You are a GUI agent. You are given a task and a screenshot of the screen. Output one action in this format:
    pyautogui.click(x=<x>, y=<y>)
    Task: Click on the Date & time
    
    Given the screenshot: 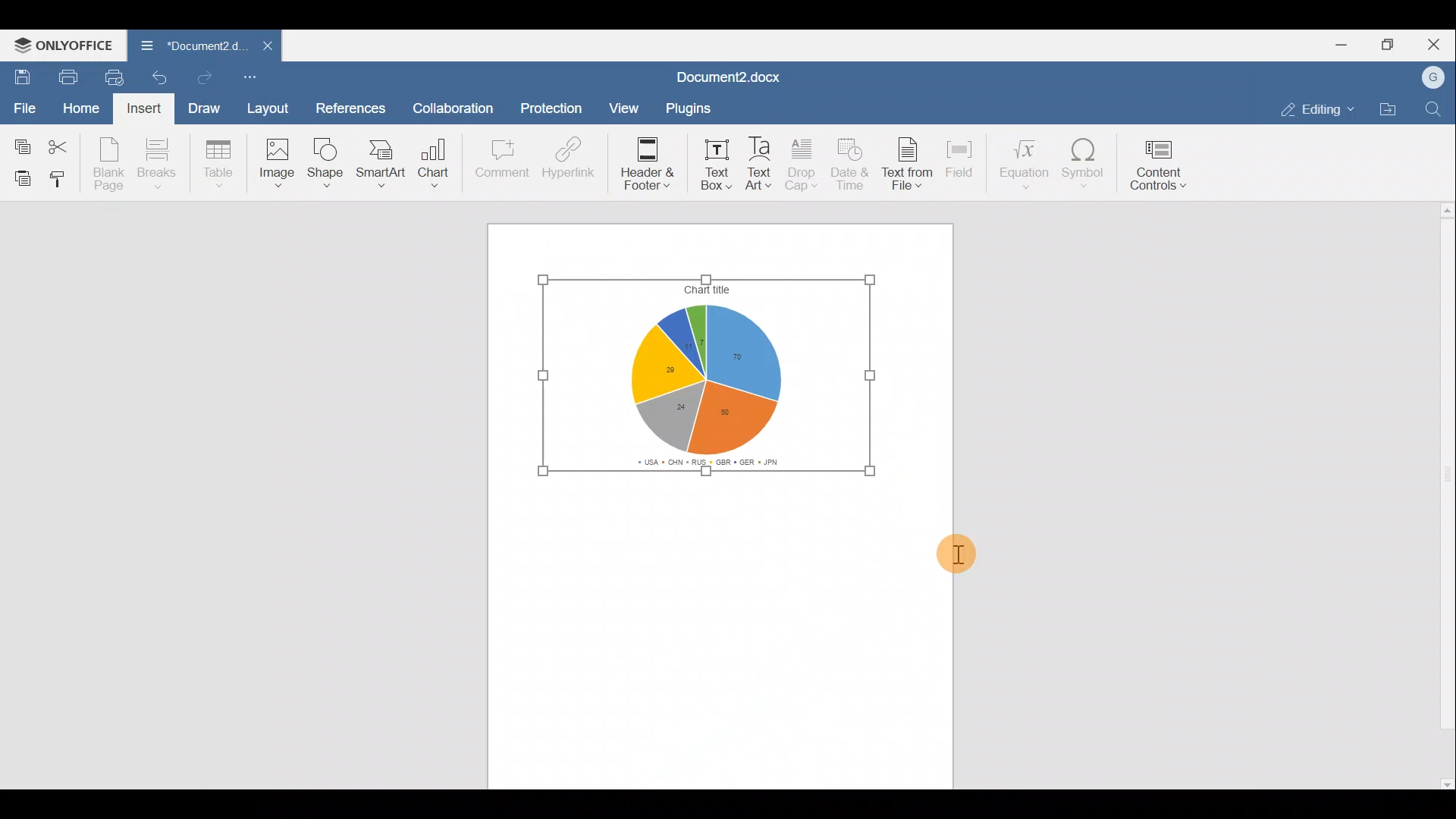 What is the action you would take?
    pyautogui.click(x=852, y=162)
    